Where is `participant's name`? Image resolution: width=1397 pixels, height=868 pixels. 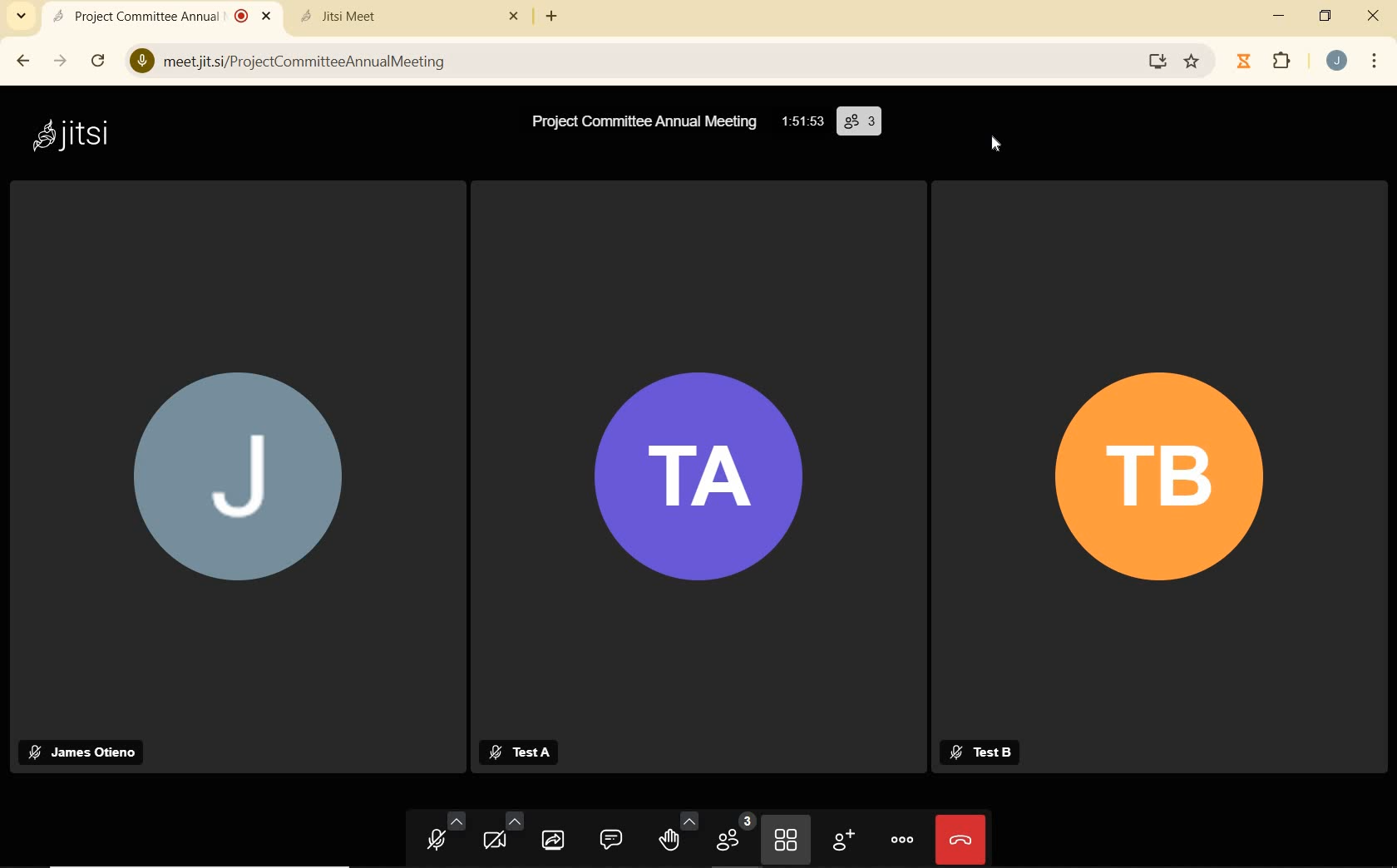 participant's name is located at coordinates (523, 752).